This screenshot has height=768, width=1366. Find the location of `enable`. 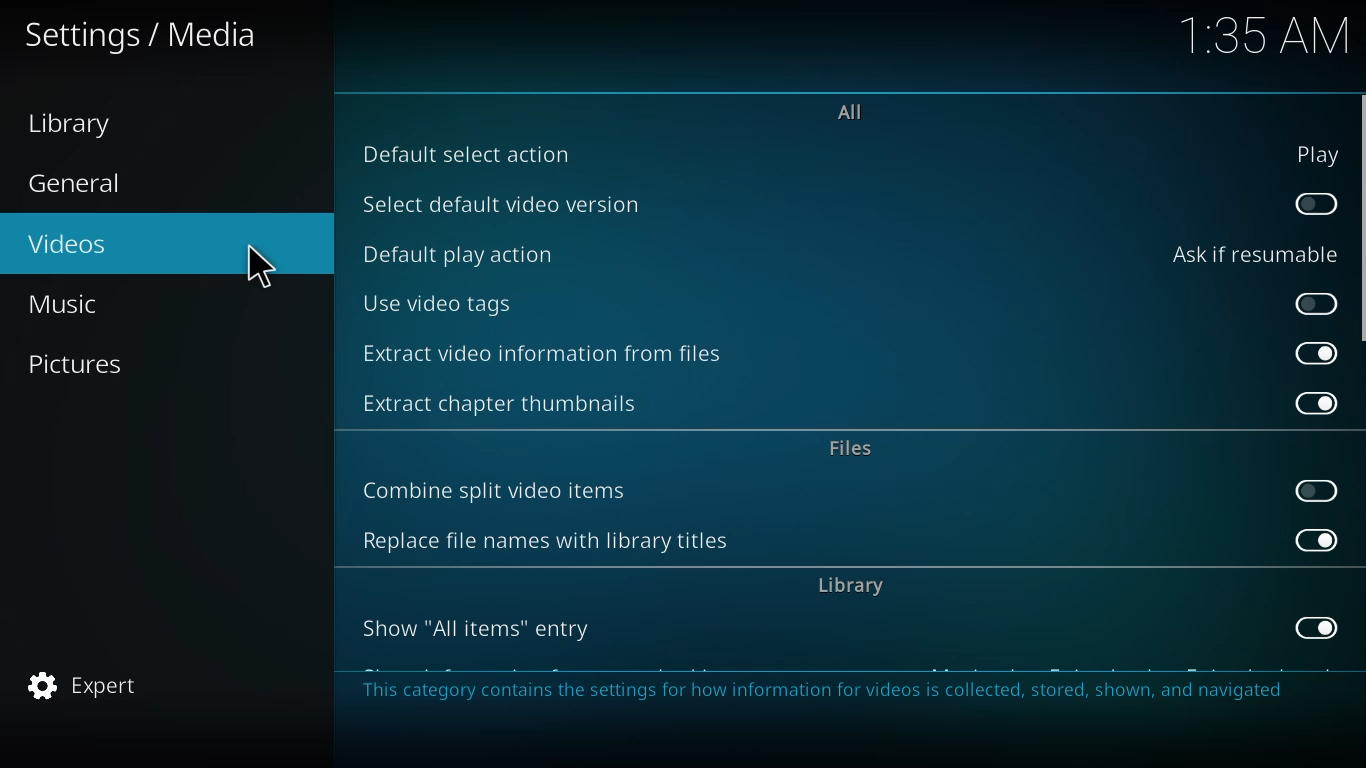

enable is located at coordinates (1316, 306).